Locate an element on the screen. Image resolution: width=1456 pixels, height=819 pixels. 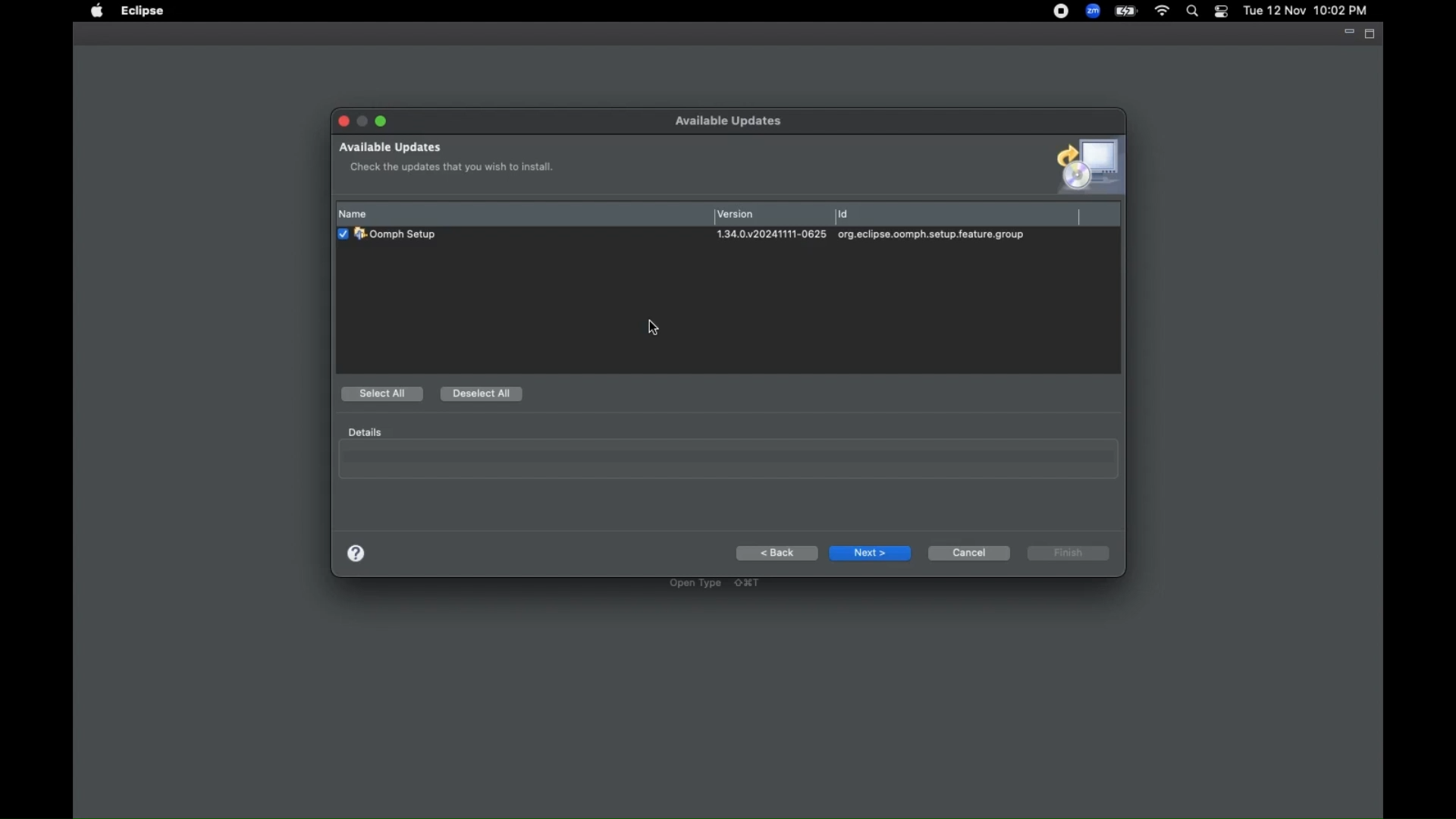
Select All is located at coordinates (384, 395).